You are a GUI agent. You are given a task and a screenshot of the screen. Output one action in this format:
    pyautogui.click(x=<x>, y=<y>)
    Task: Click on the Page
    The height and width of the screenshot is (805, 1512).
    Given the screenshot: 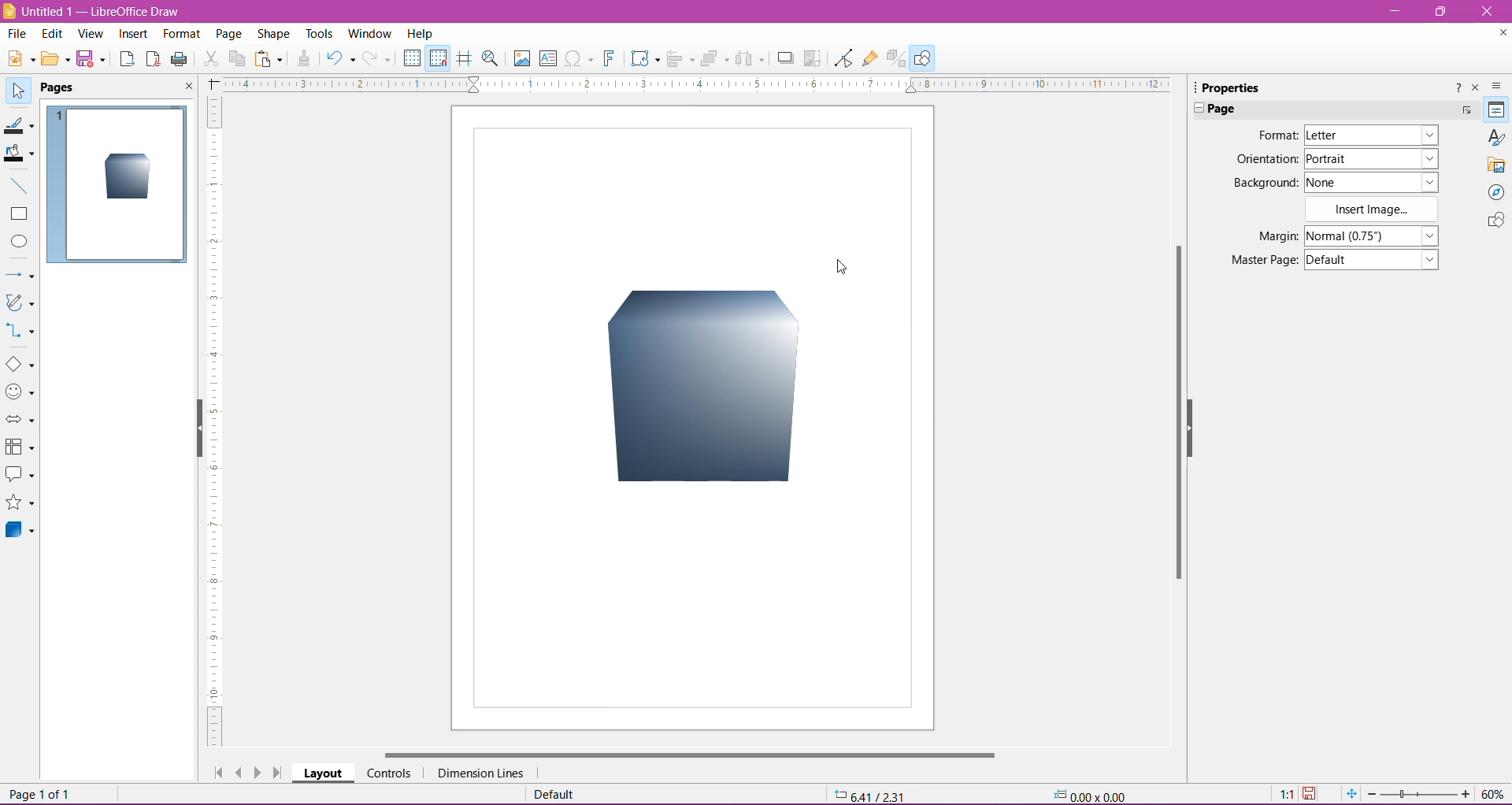 What is the action you would take?
    pyautogui.click(x=67, y=88)
    